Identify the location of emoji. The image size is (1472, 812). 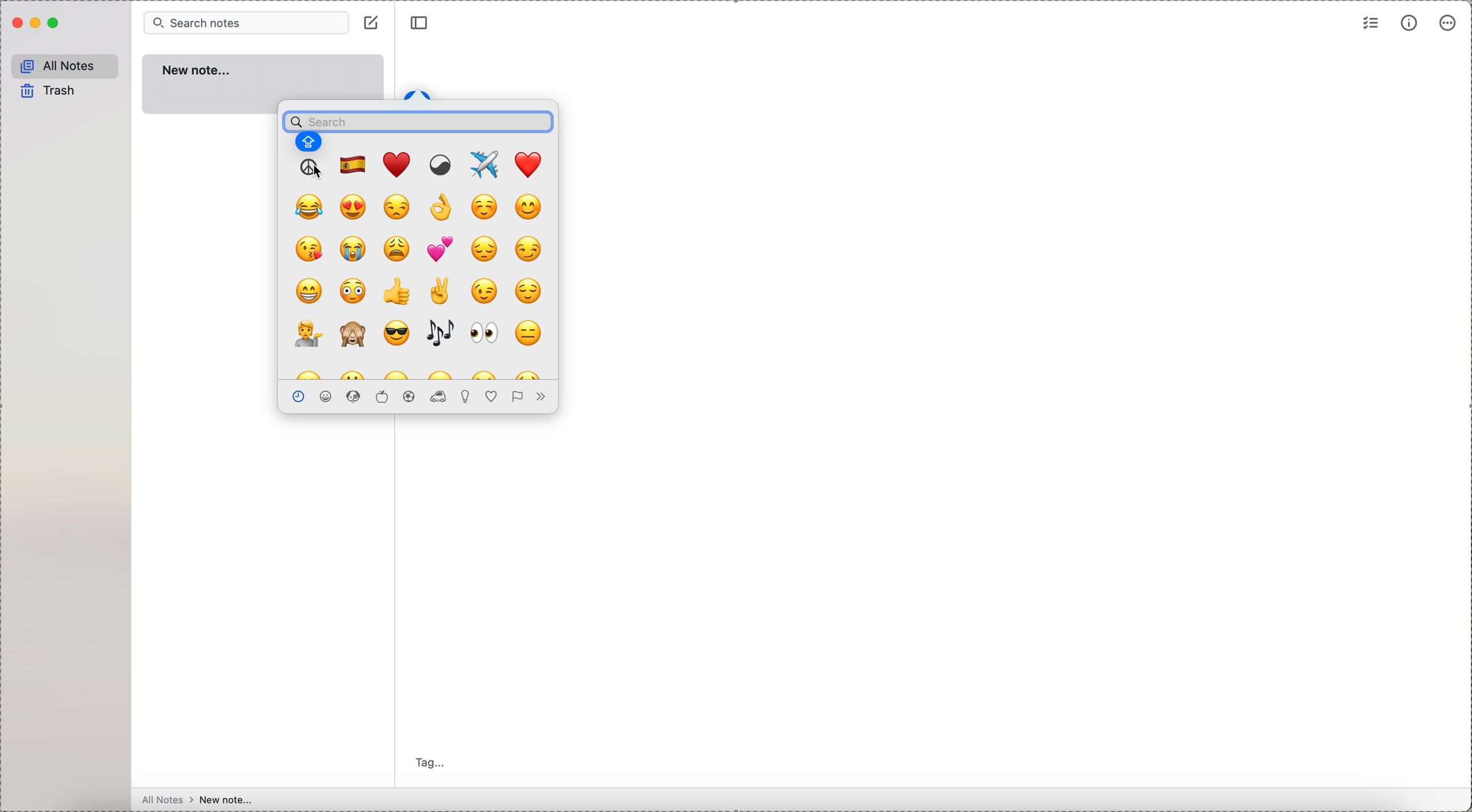
(443, 373).